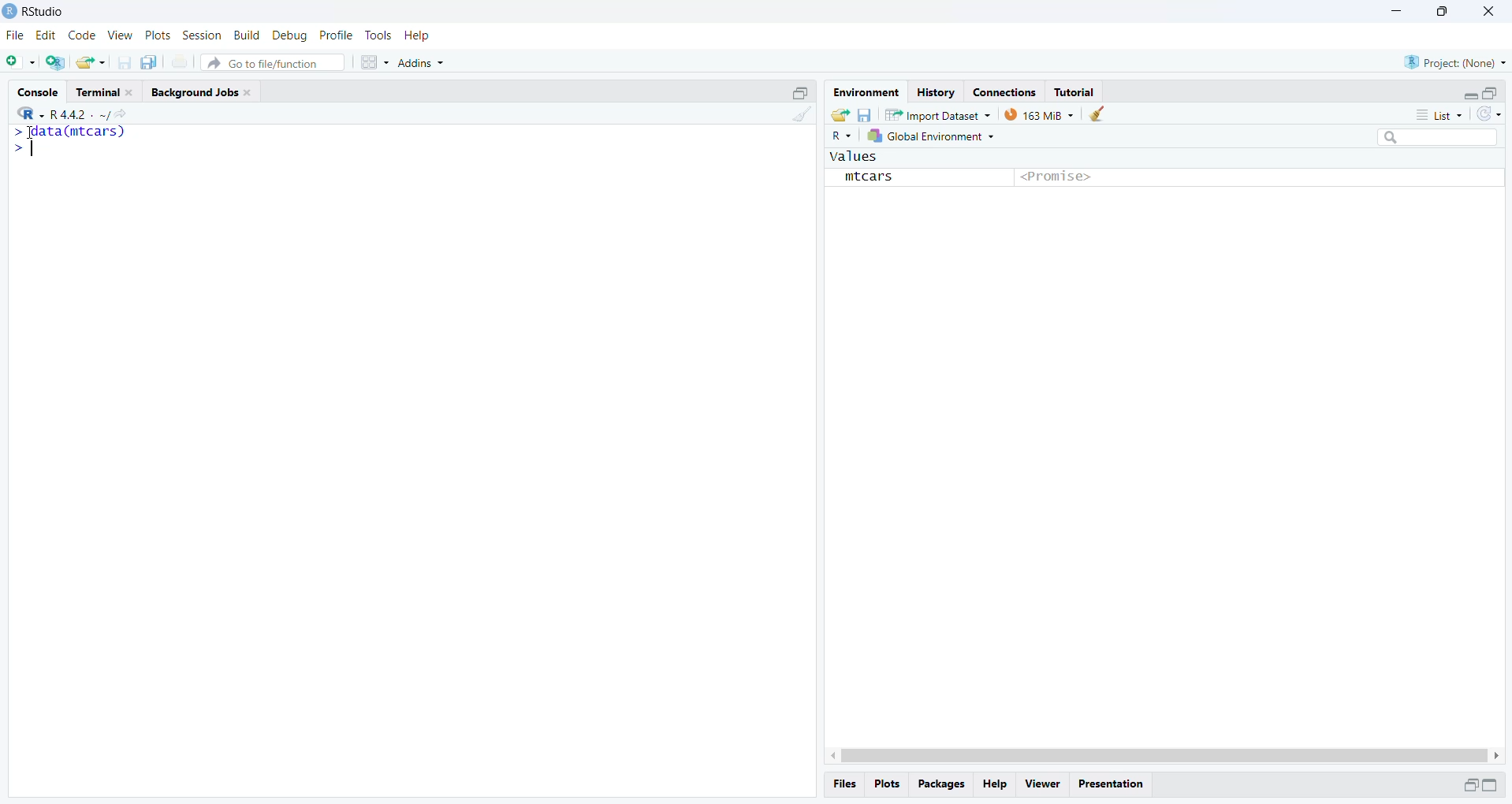 This screenshot has height=804, width=1512. What do you see at coordinates (47, 12) in the screenshot?
I see `RStudio` at bounding box center [47, 12].